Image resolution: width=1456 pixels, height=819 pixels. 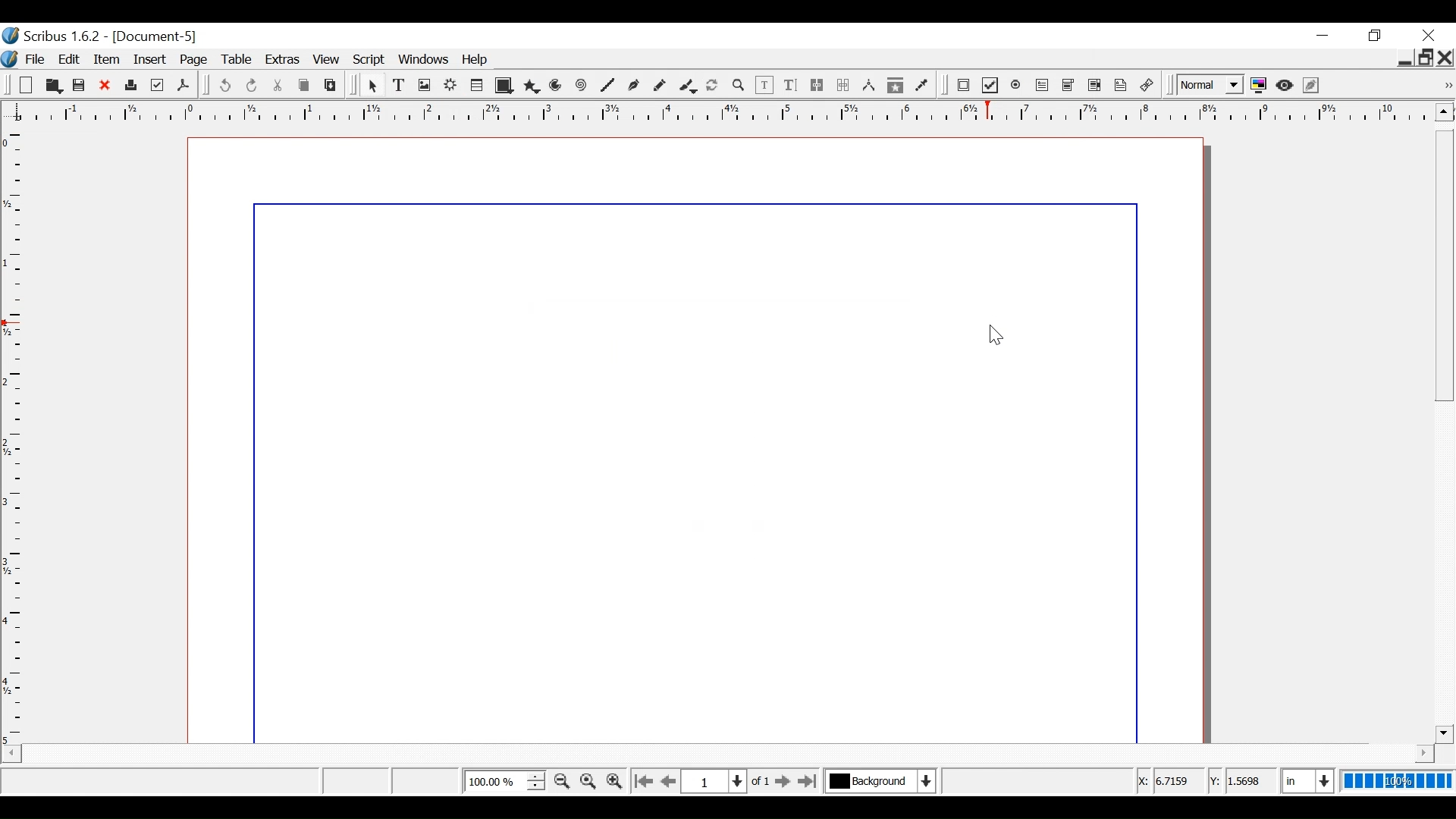 What do you see at coordinates (1309, 779) in the screenshot?
I see `Current position in units` at bounding box center [1309, 779].